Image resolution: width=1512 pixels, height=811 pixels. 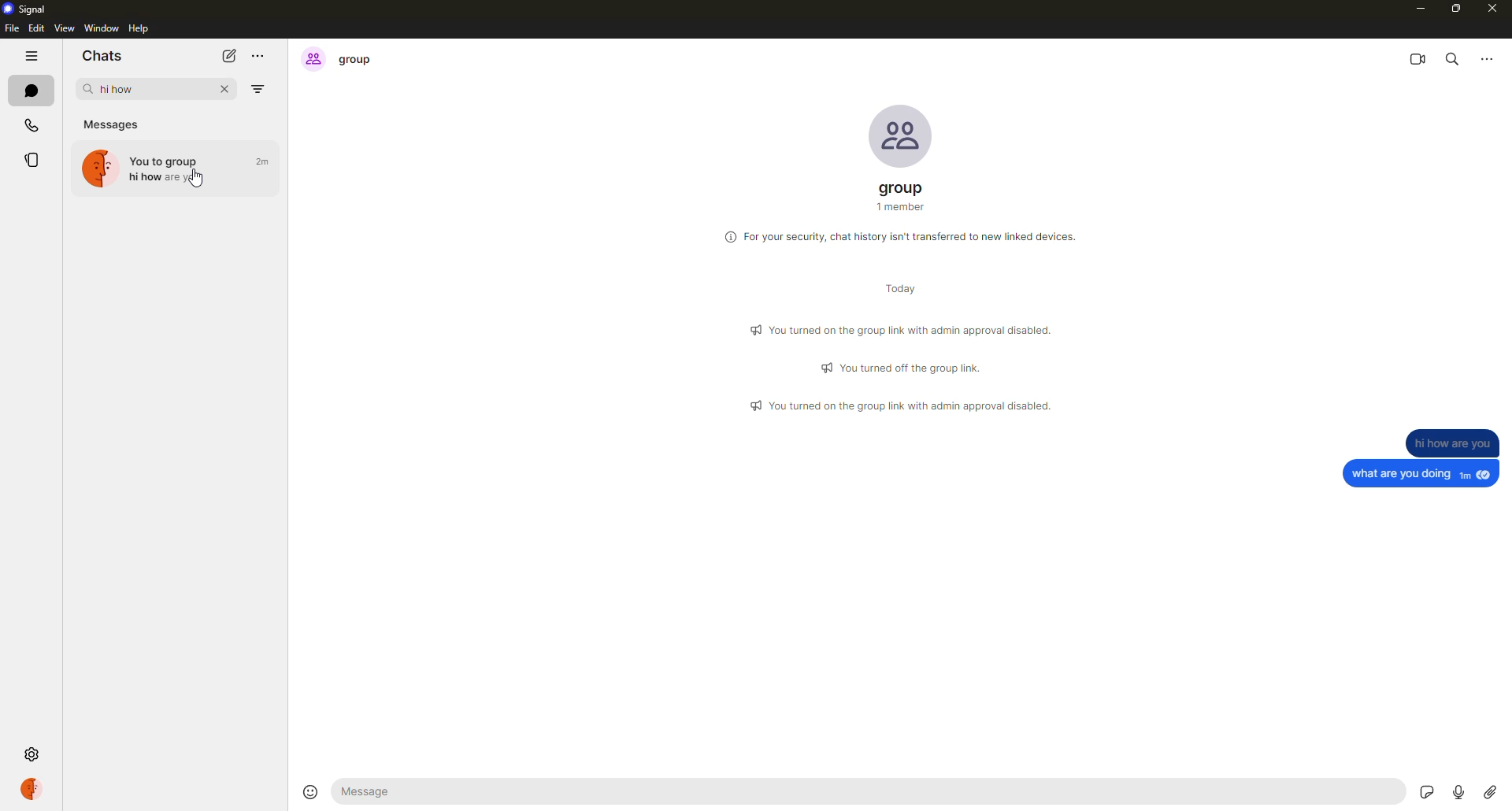 I want to click on more, so click(x=260, y=54).